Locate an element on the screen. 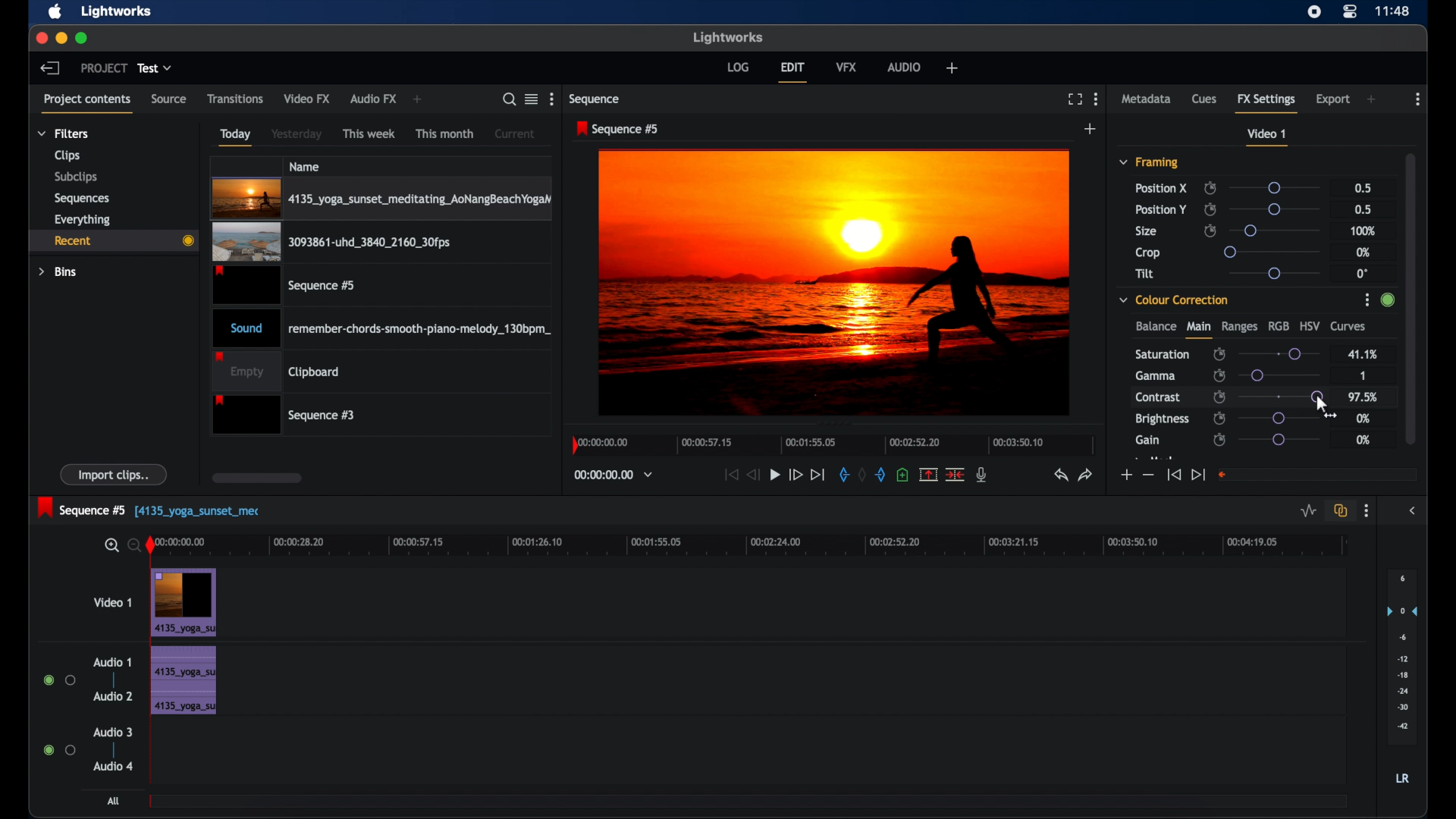  video 1 is located at coordinates (1268, 137).